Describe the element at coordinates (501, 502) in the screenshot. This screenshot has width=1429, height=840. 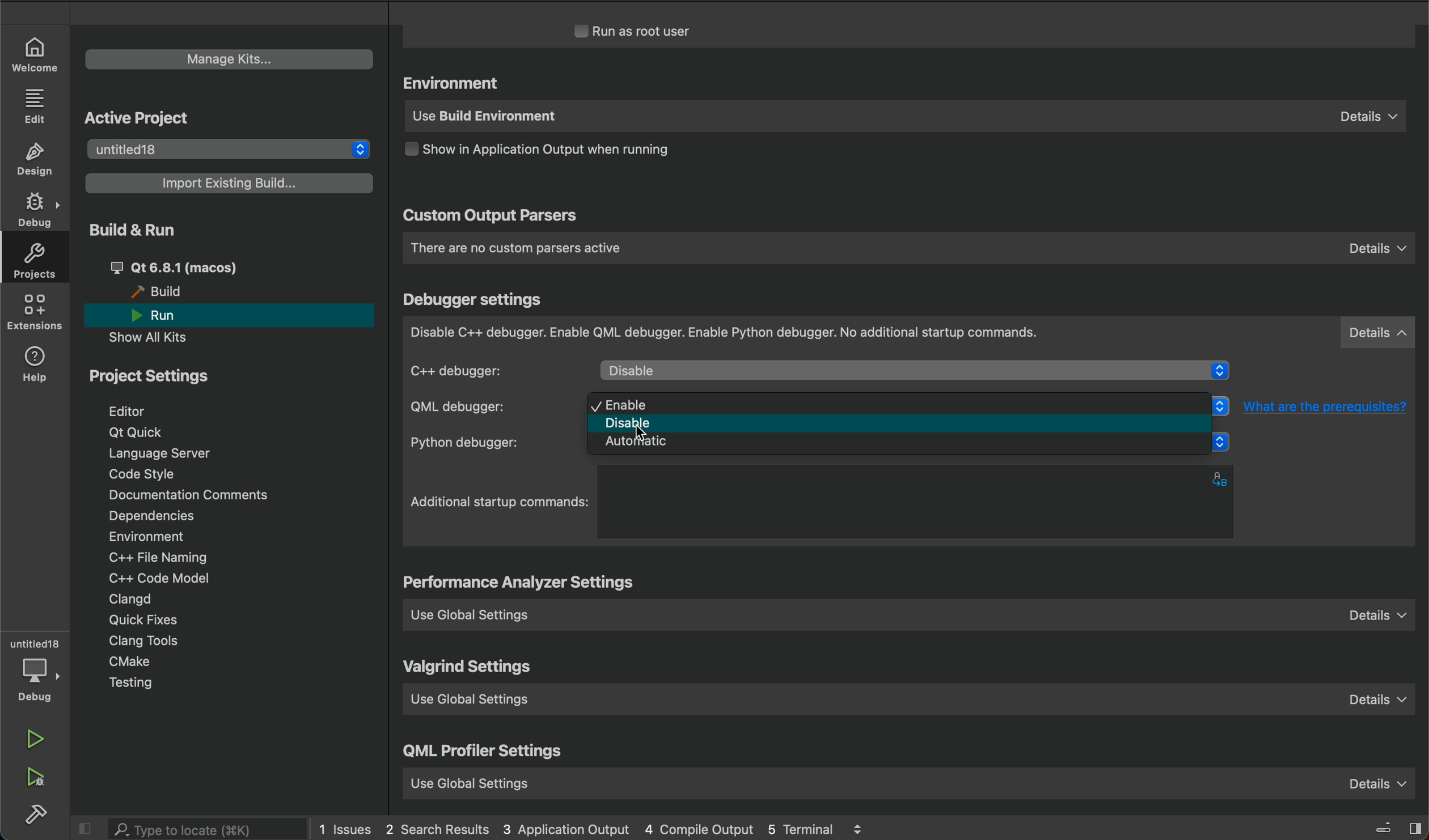
I see `startup ` at that location.